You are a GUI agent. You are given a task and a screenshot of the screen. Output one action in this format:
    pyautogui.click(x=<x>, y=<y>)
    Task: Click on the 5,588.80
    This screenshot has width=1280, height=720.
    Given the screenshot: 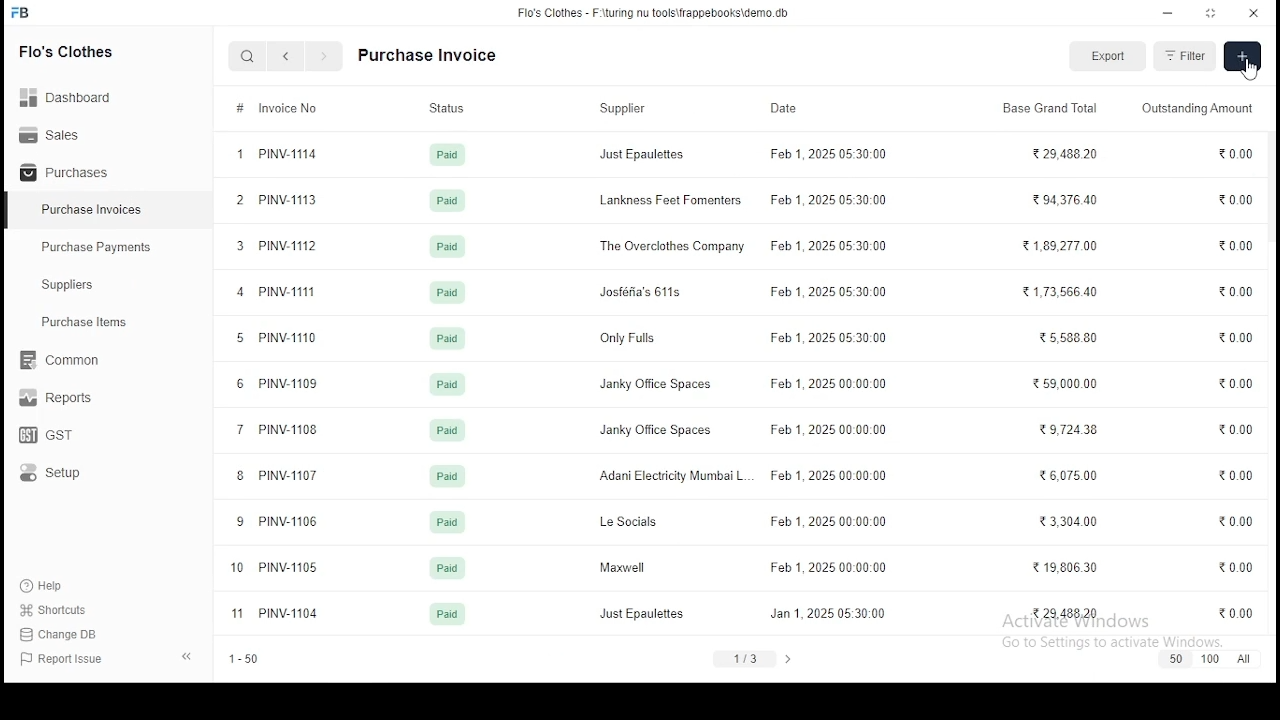 What is the action you would take?
    pyautogui.click(x=1071, y=337)
    